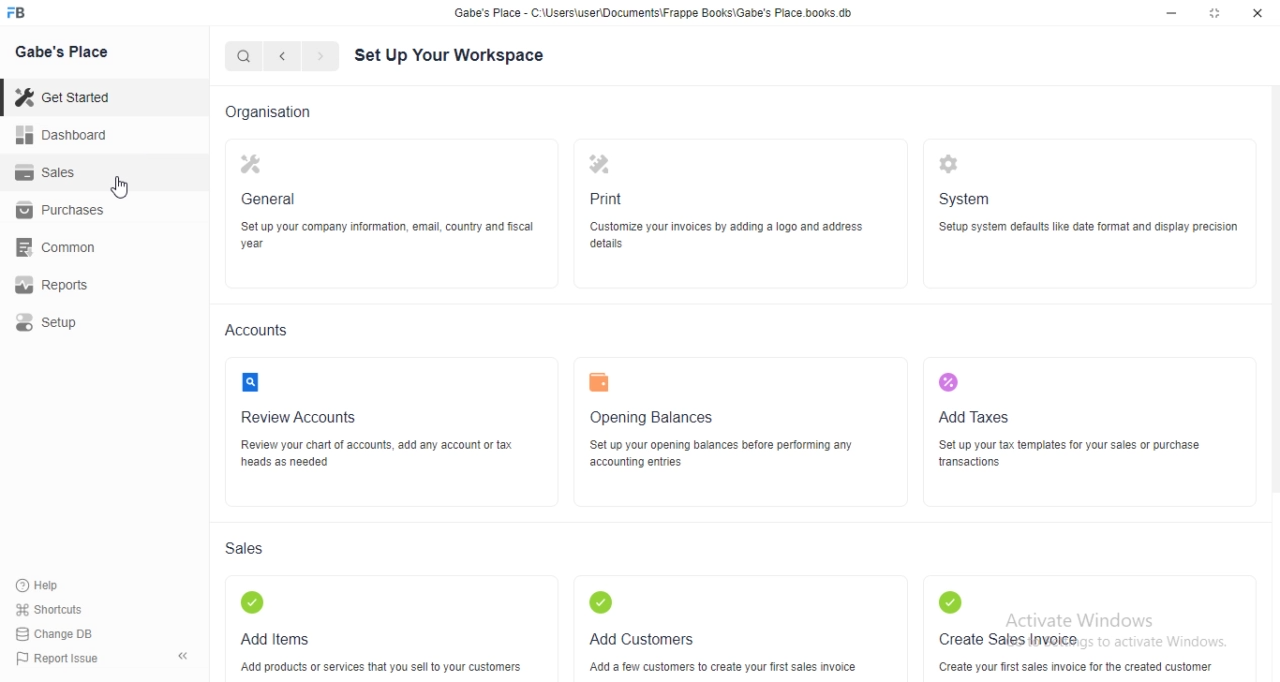  Describe the element at coordinates (387, 234) in the screenshot. I see `Set up your company information, email, country and fiscal
year` at that location.